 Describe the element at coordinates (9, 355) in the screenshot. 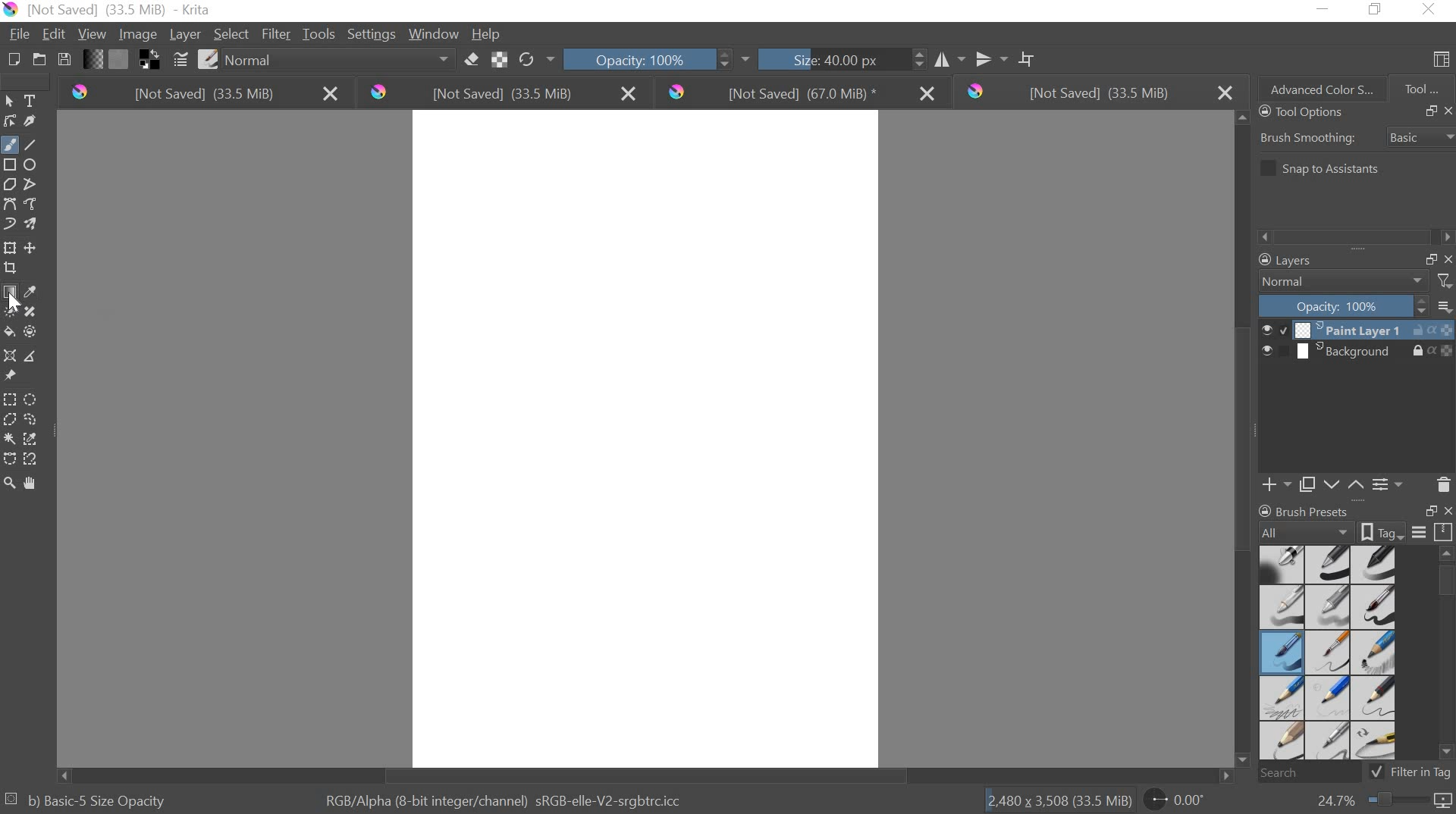

I see `assistant tool` at that location.